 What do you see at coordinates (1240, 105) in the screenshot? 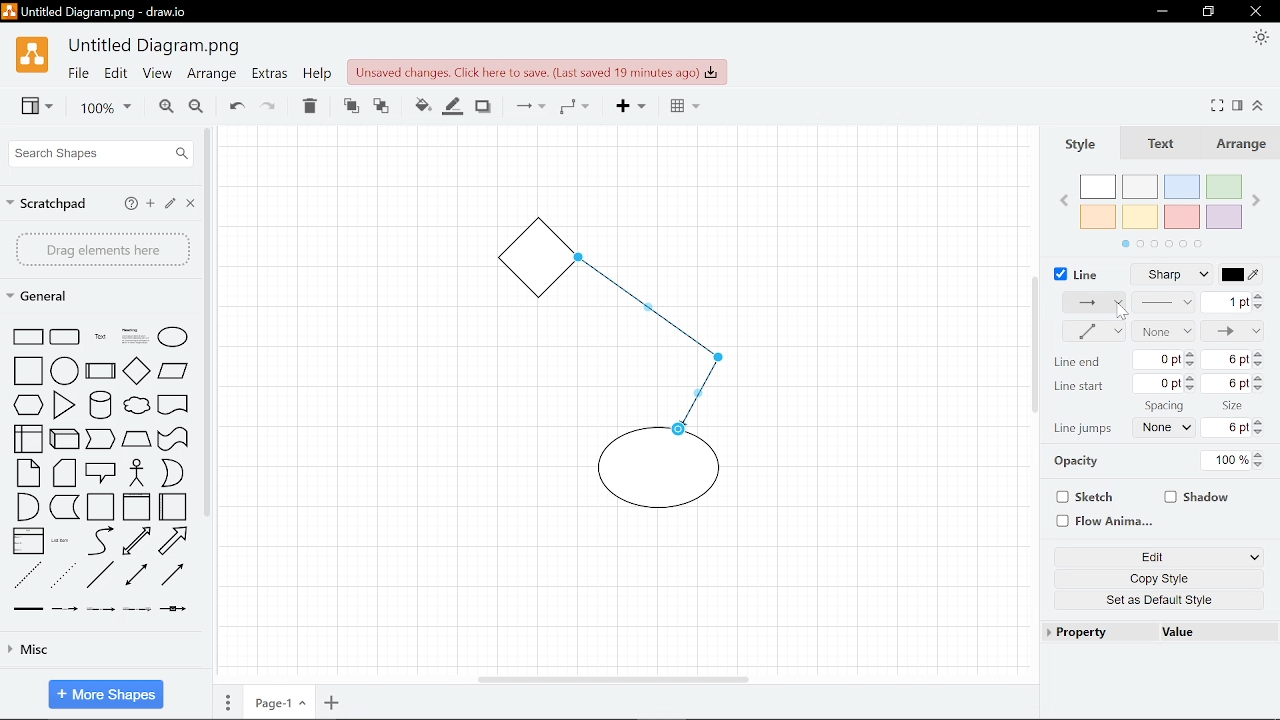
I see `Format` at bounding box center [1240, 105].